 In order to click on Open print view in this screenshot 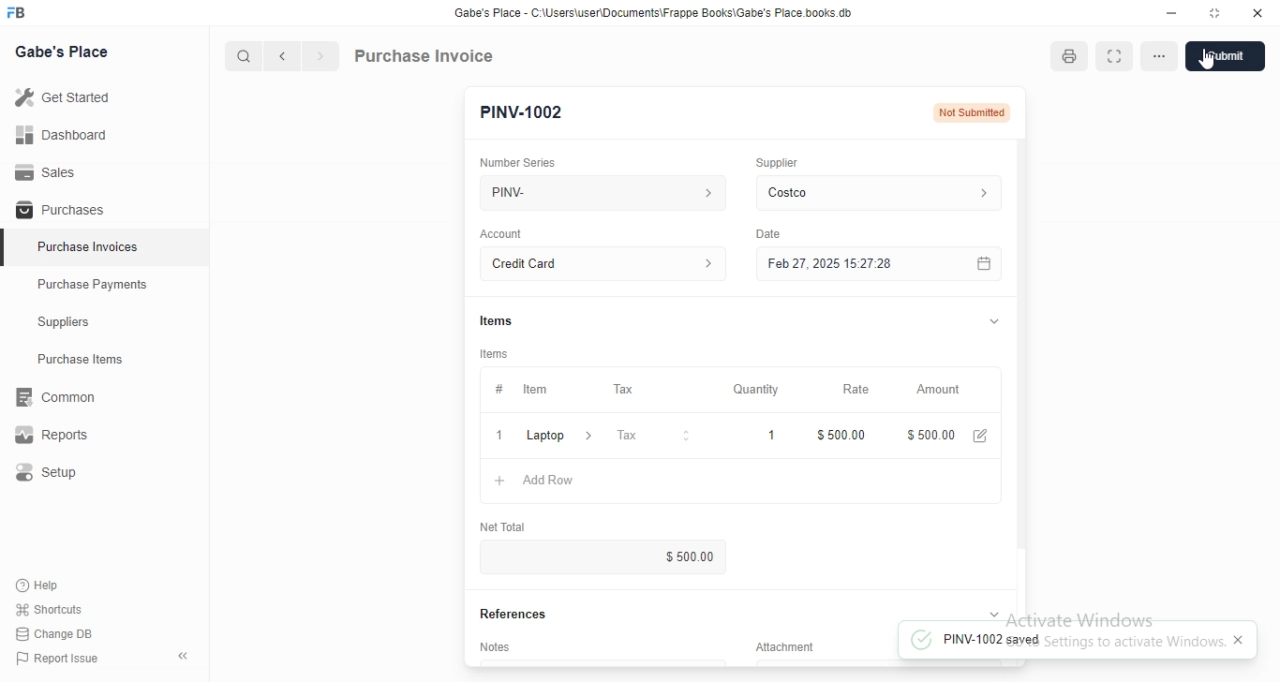, I will do `click(1070, 57)`.